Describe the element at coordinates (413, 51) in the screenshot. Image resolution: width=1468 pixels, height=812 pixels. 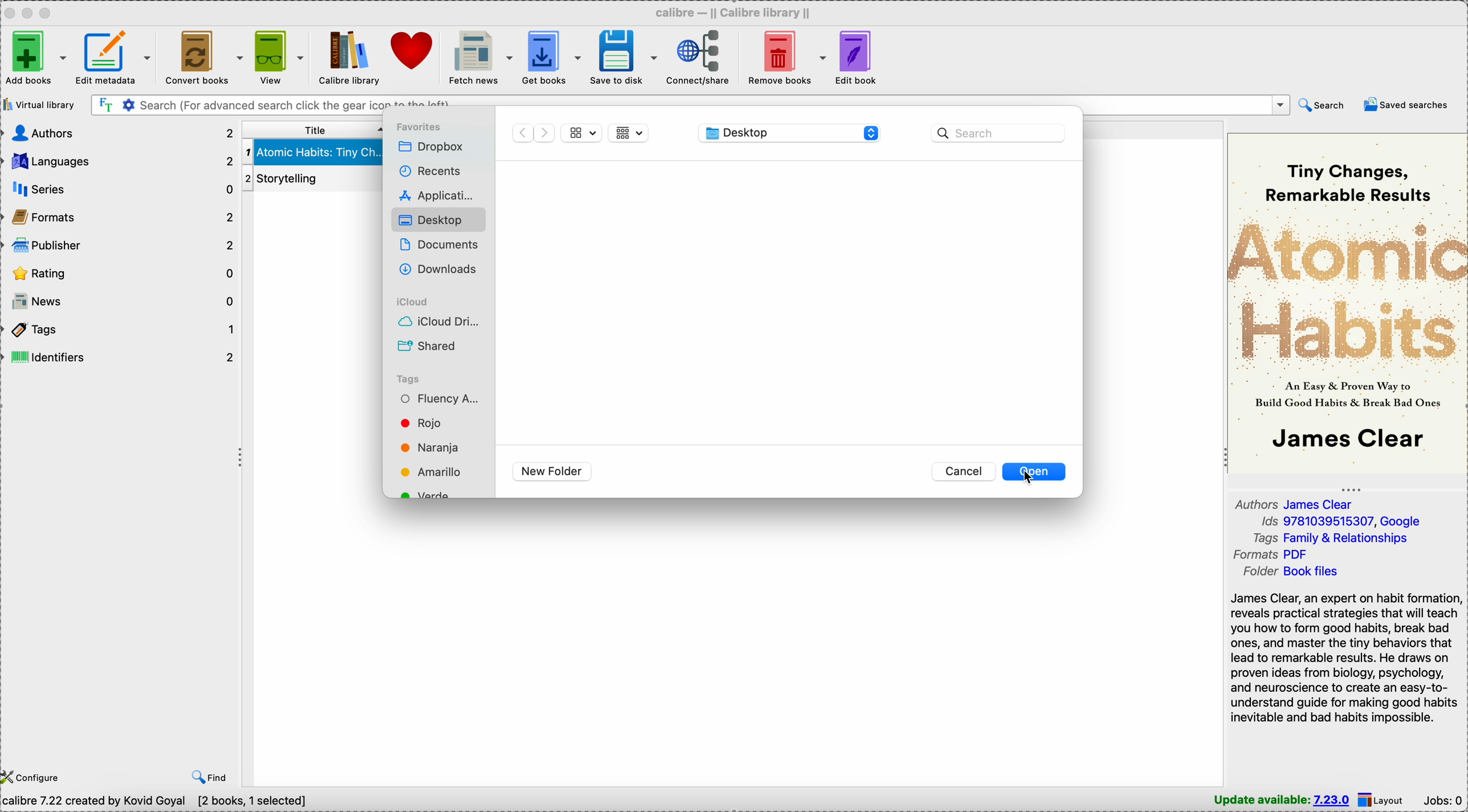
I see `donate` at that location.